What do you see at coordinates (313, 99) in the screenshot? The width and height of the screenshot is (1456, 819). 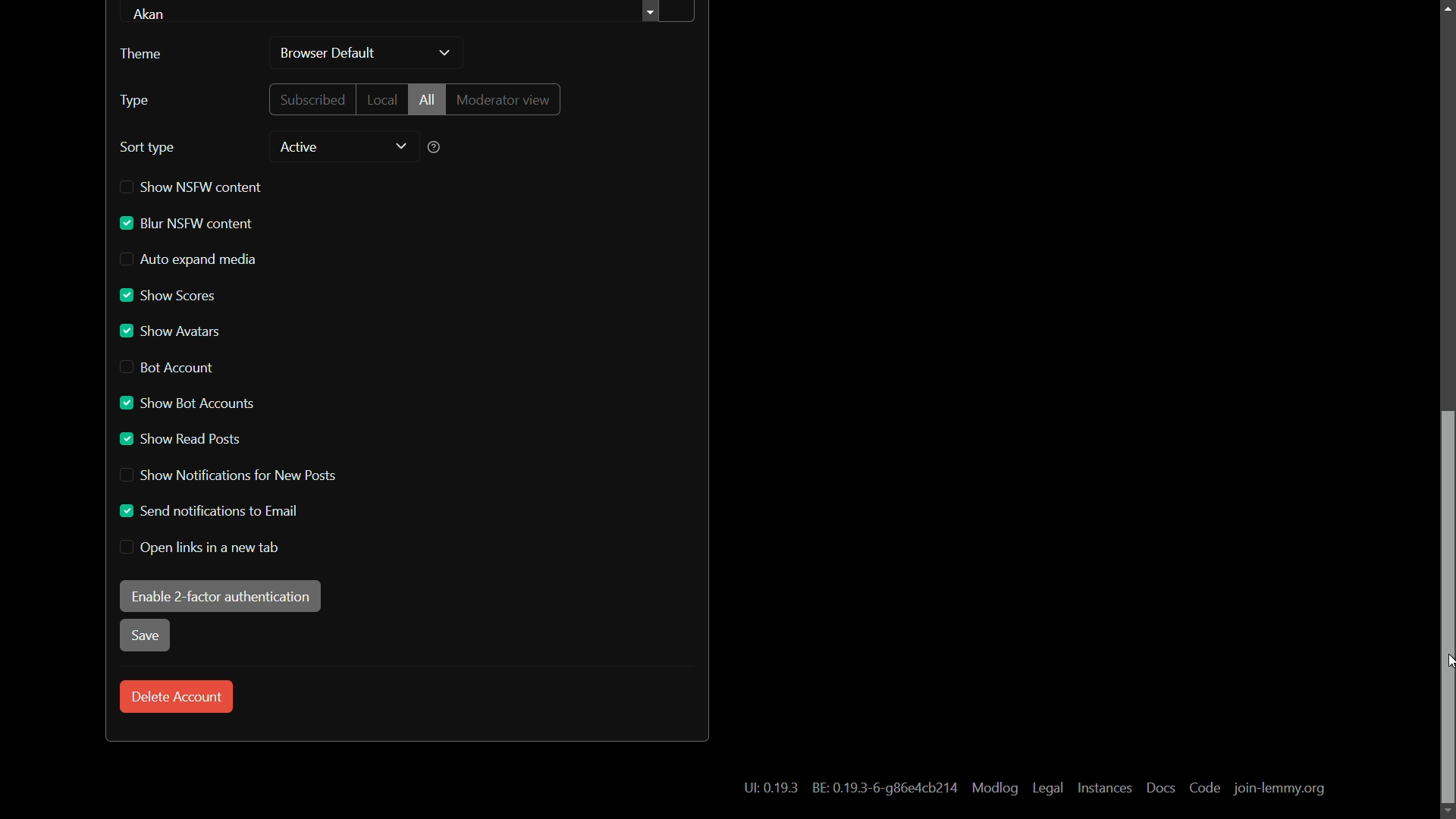 I see `subscribed` at bounding box center [313, 99].